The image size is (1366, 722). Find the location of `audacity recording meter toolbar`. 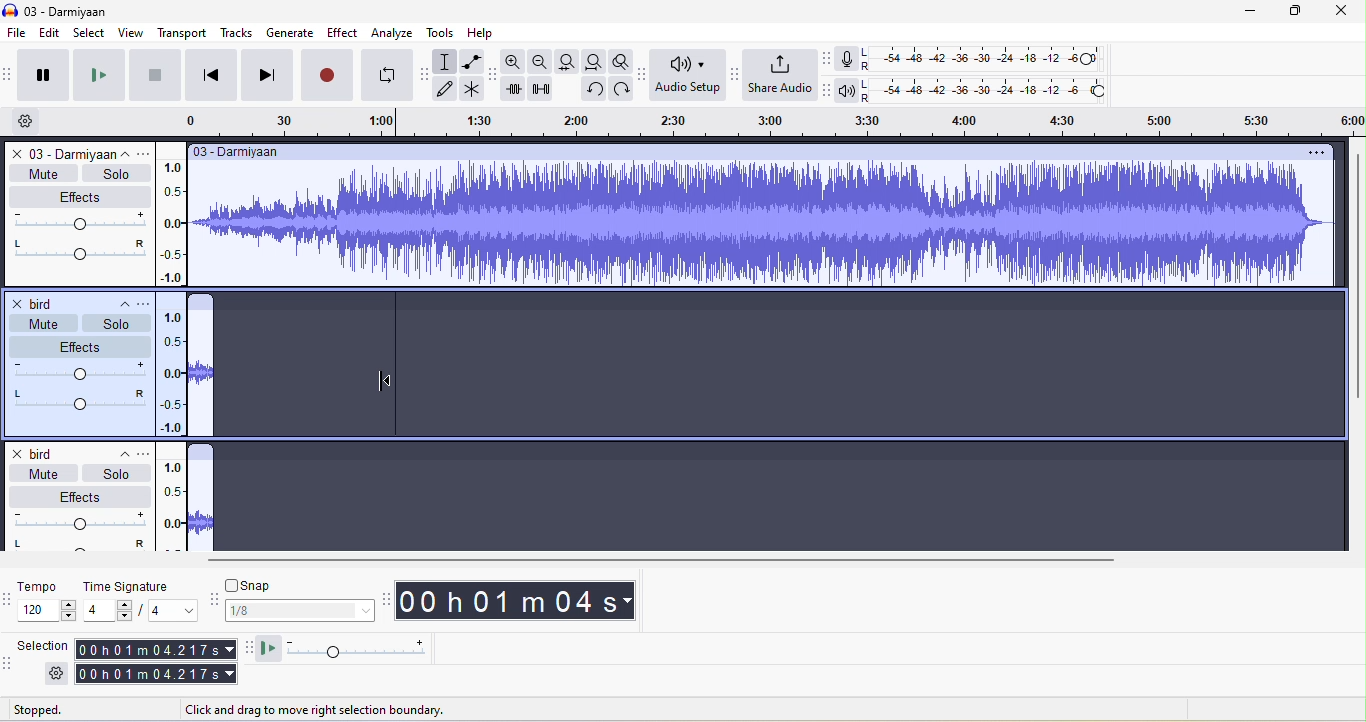

audacity recording meter toolbar is located at coordinates (829, 61).